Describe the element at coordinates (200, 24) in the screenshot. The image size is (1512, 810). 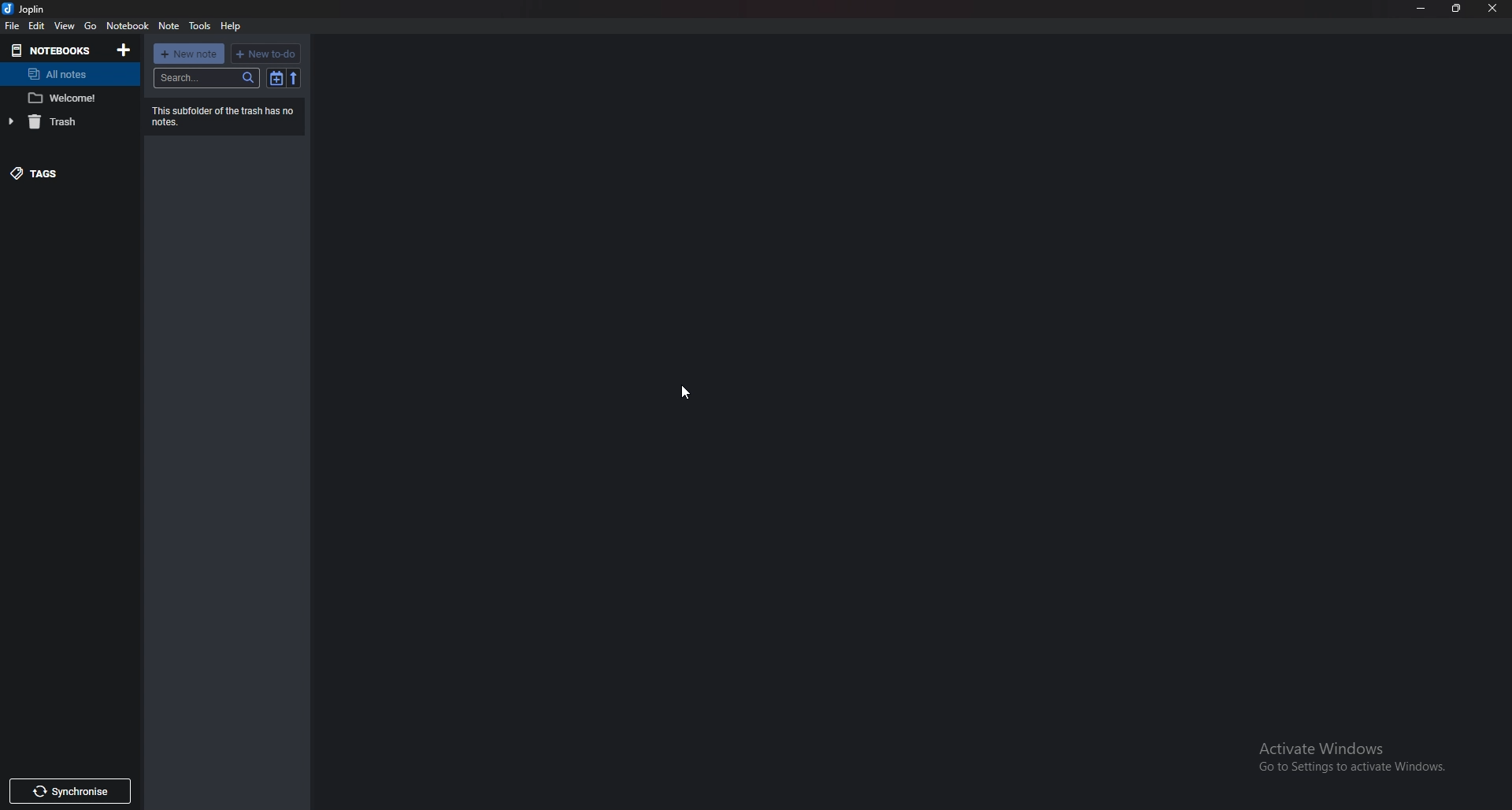
I see `Tools` at that location.